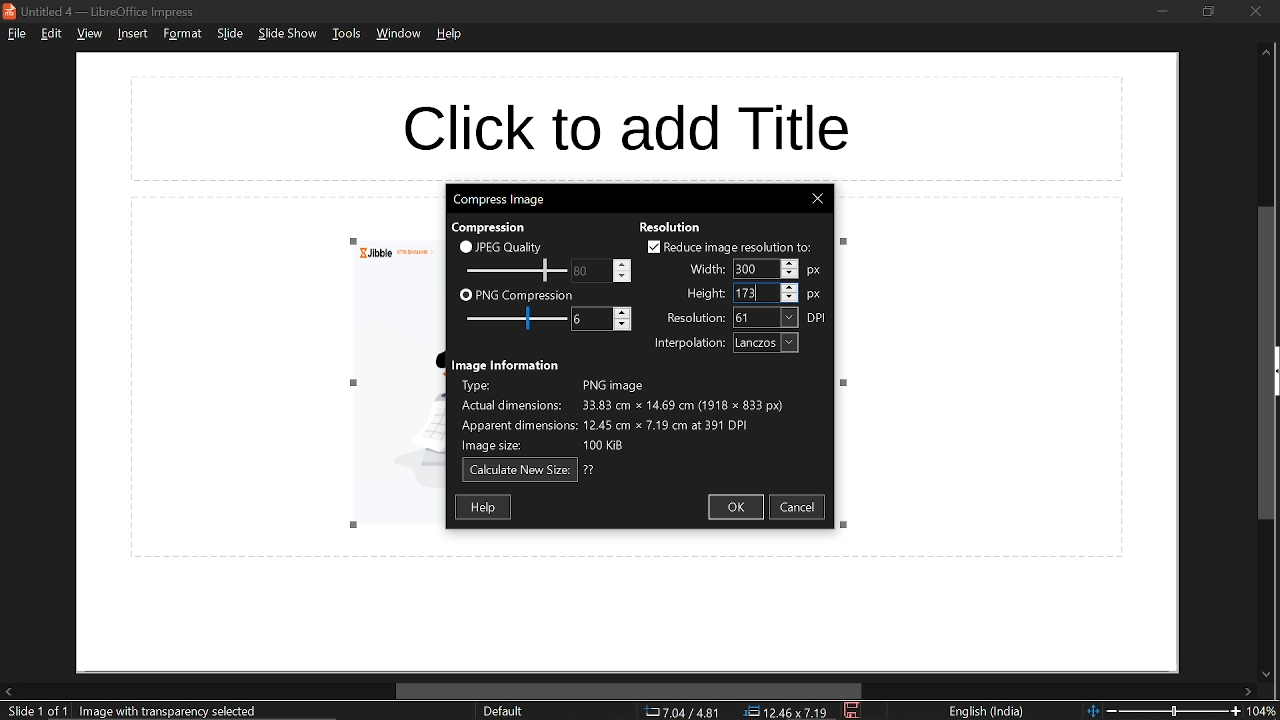 This screenshot has width=1280, height=720. Describe the element at coordinates (707, 269) in the screenshot. I see `text` at that location.